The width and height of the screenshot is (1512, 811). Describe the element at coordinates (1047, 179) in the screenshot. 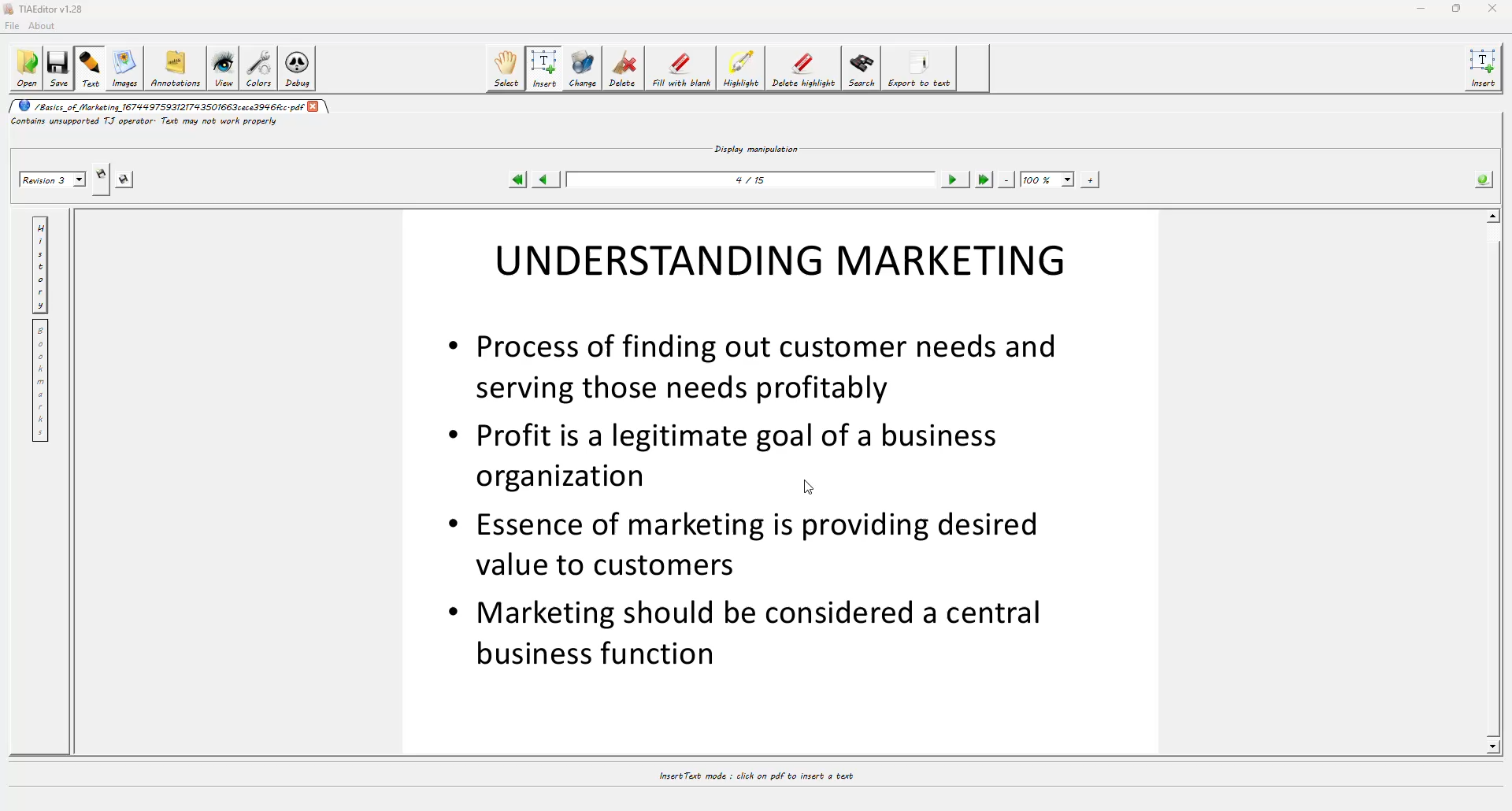

I see `100%` at that location.